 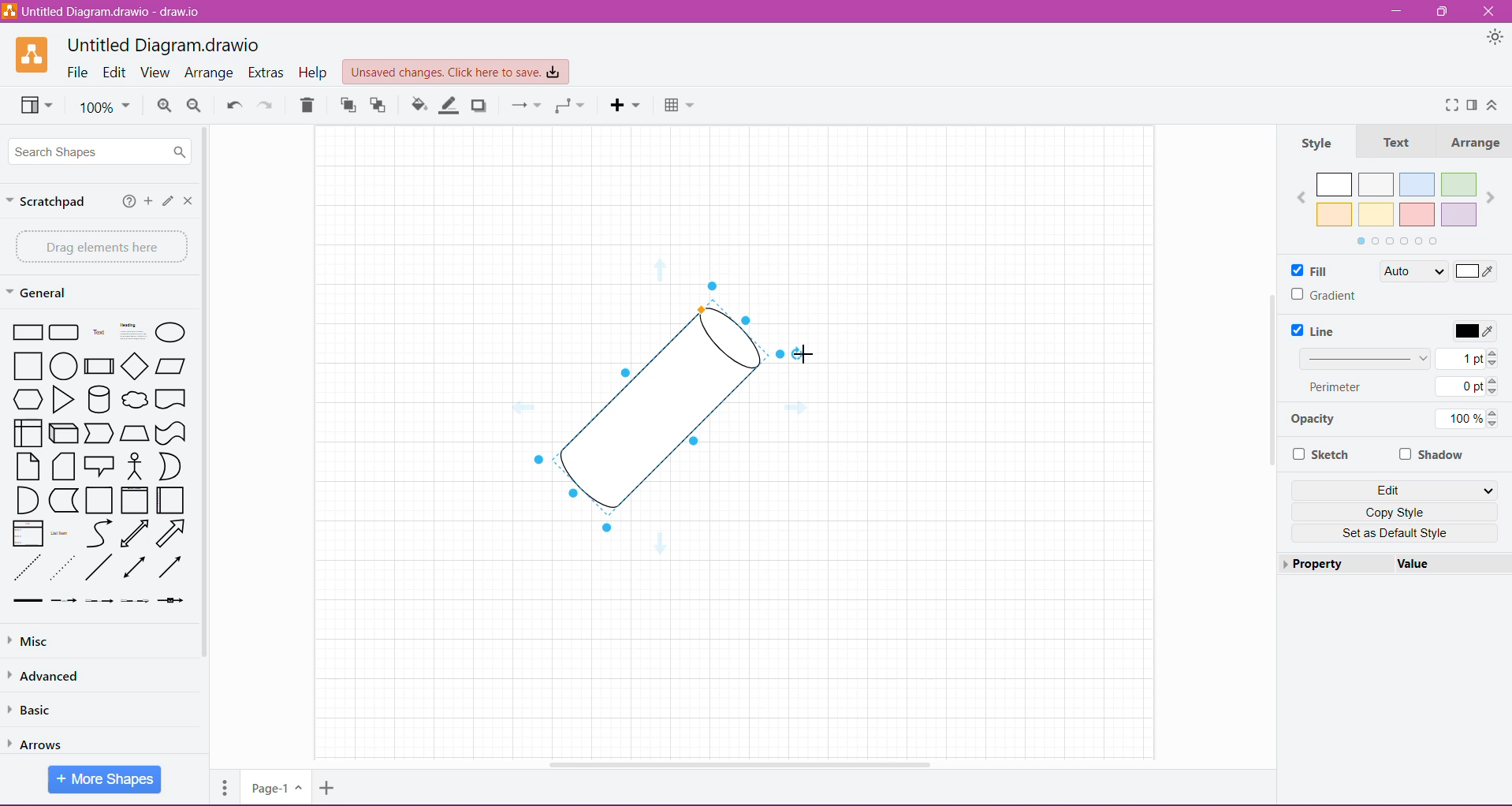 What do you see at coordinates (1473, 330) in the screenshot?
I see `Set Line color` at bounding box center [1473, 330].